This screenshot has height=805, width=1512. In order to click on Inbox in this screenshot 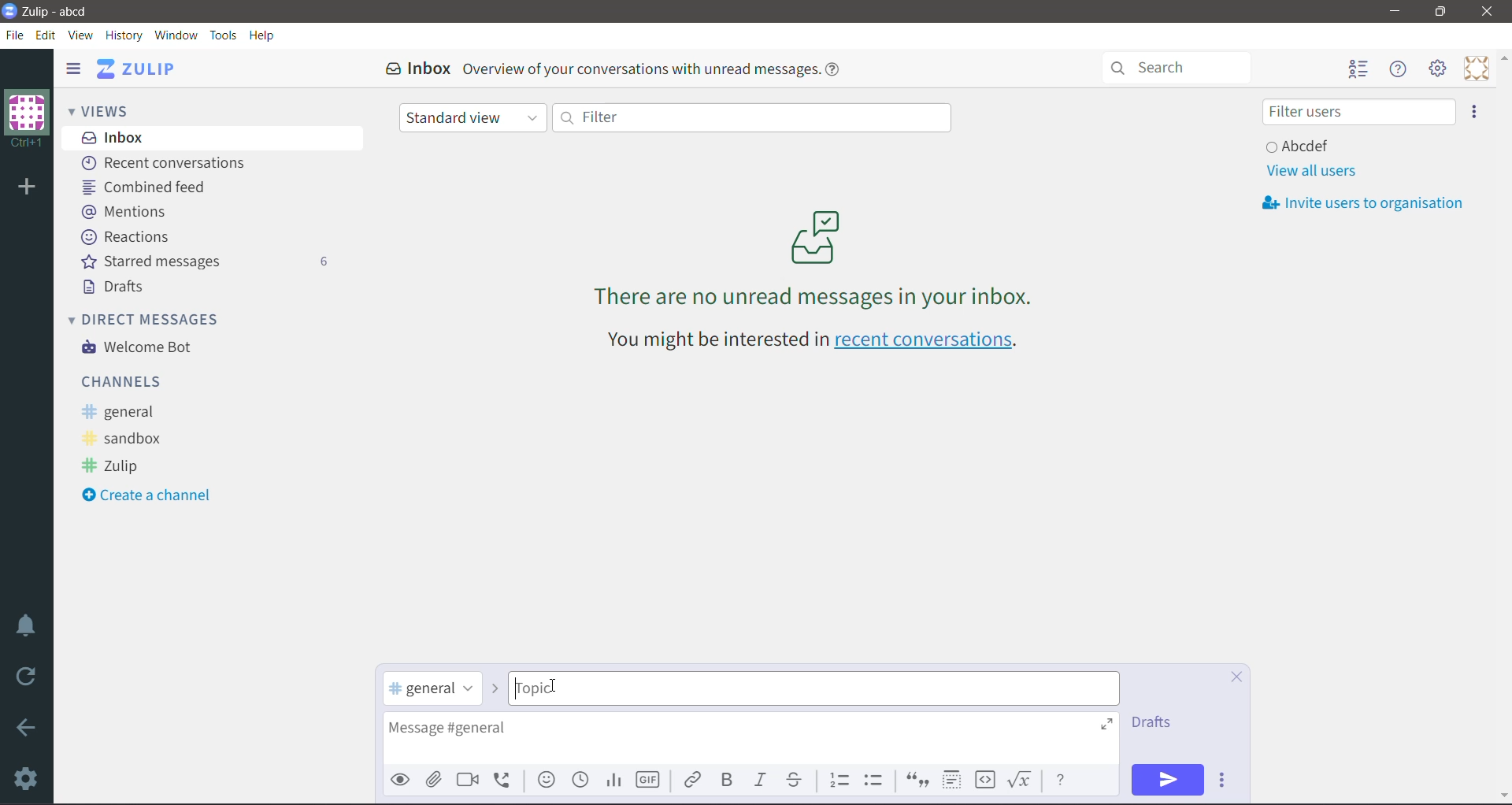, I will do `click(213, 137)`.